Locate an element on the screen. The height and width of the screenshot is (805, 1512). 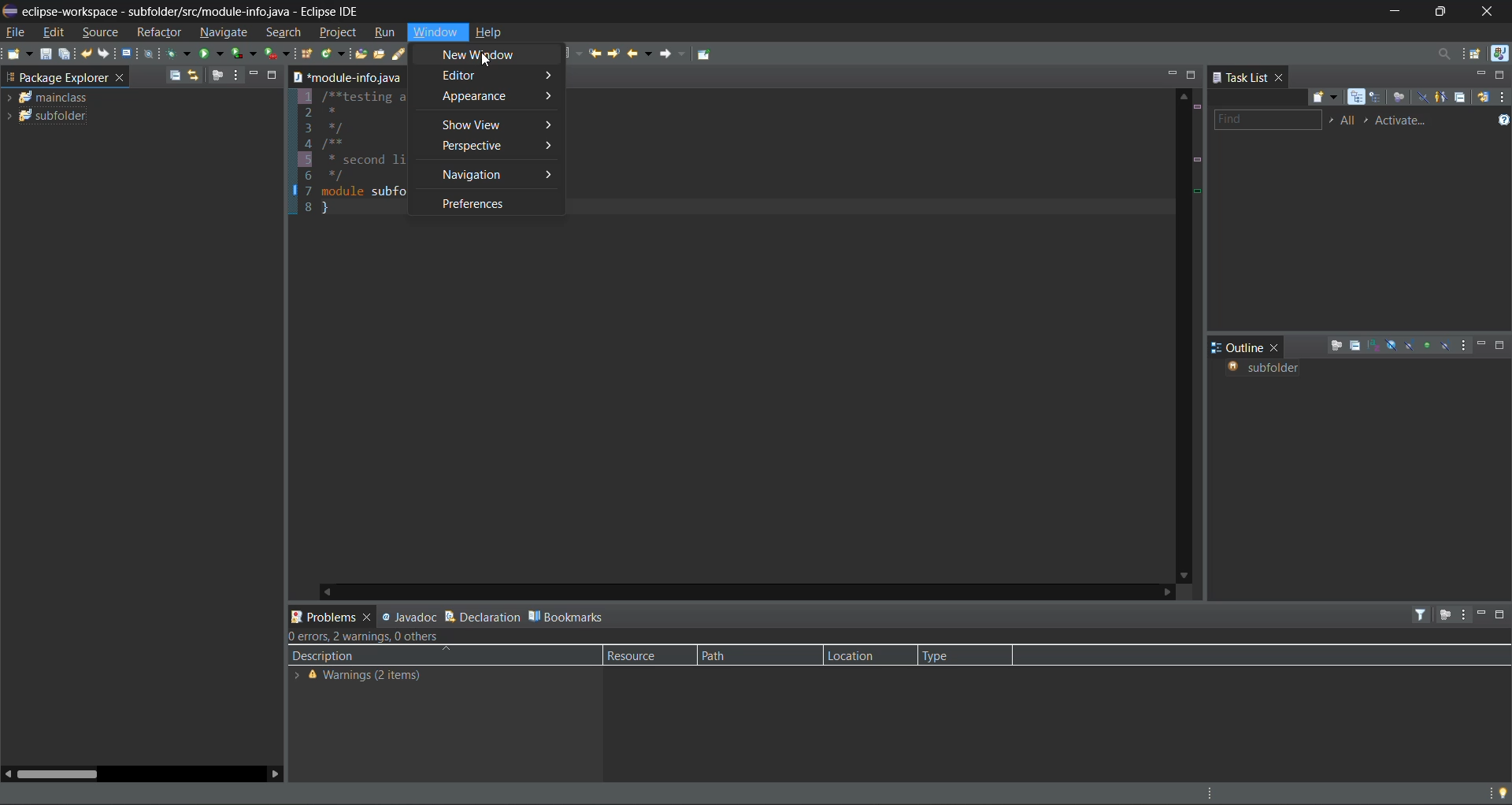
coverage is located at coordinates (247, 54).